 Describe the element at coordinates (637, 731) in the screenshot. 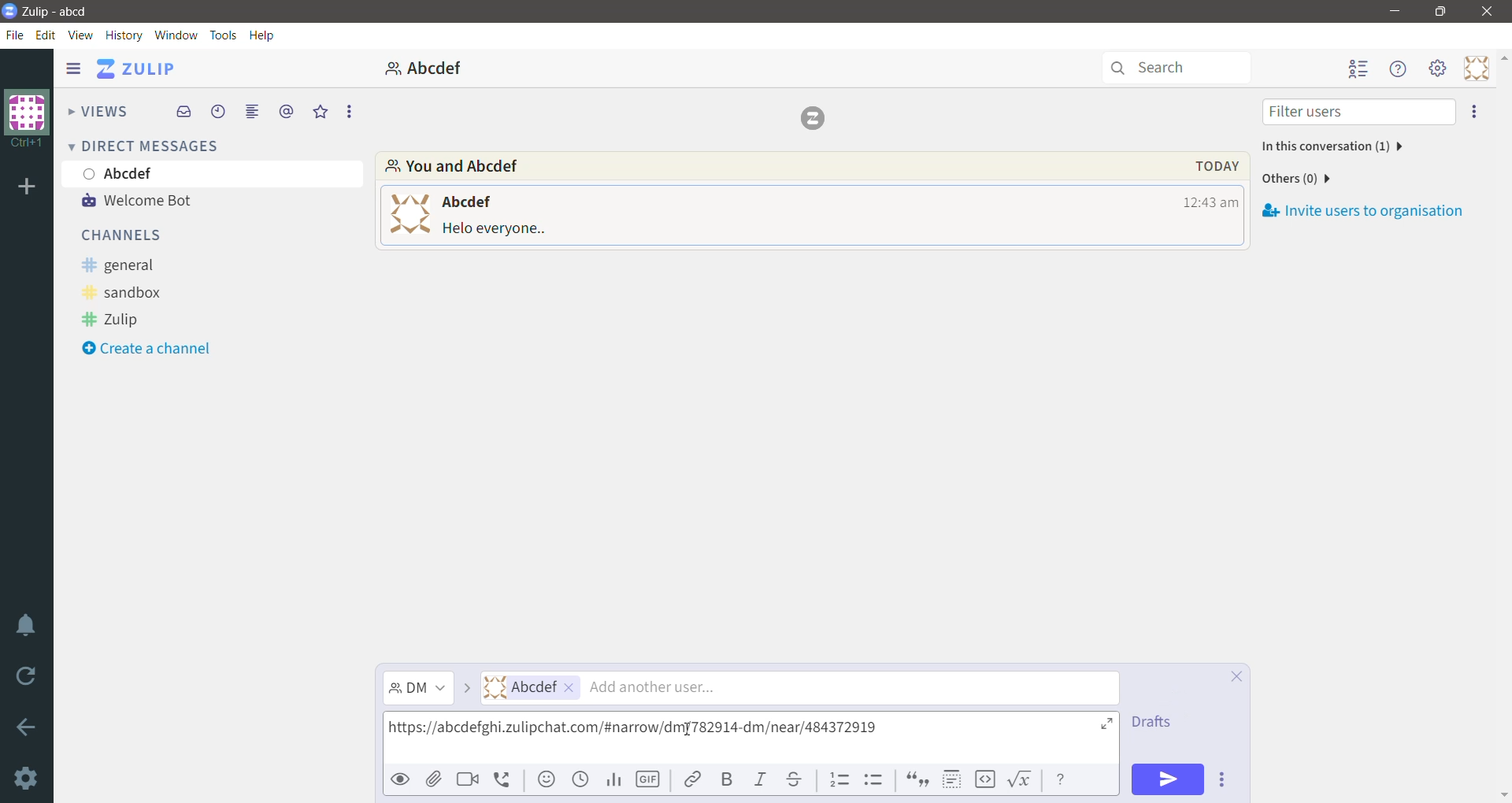

I see `Copied message link` at that location.